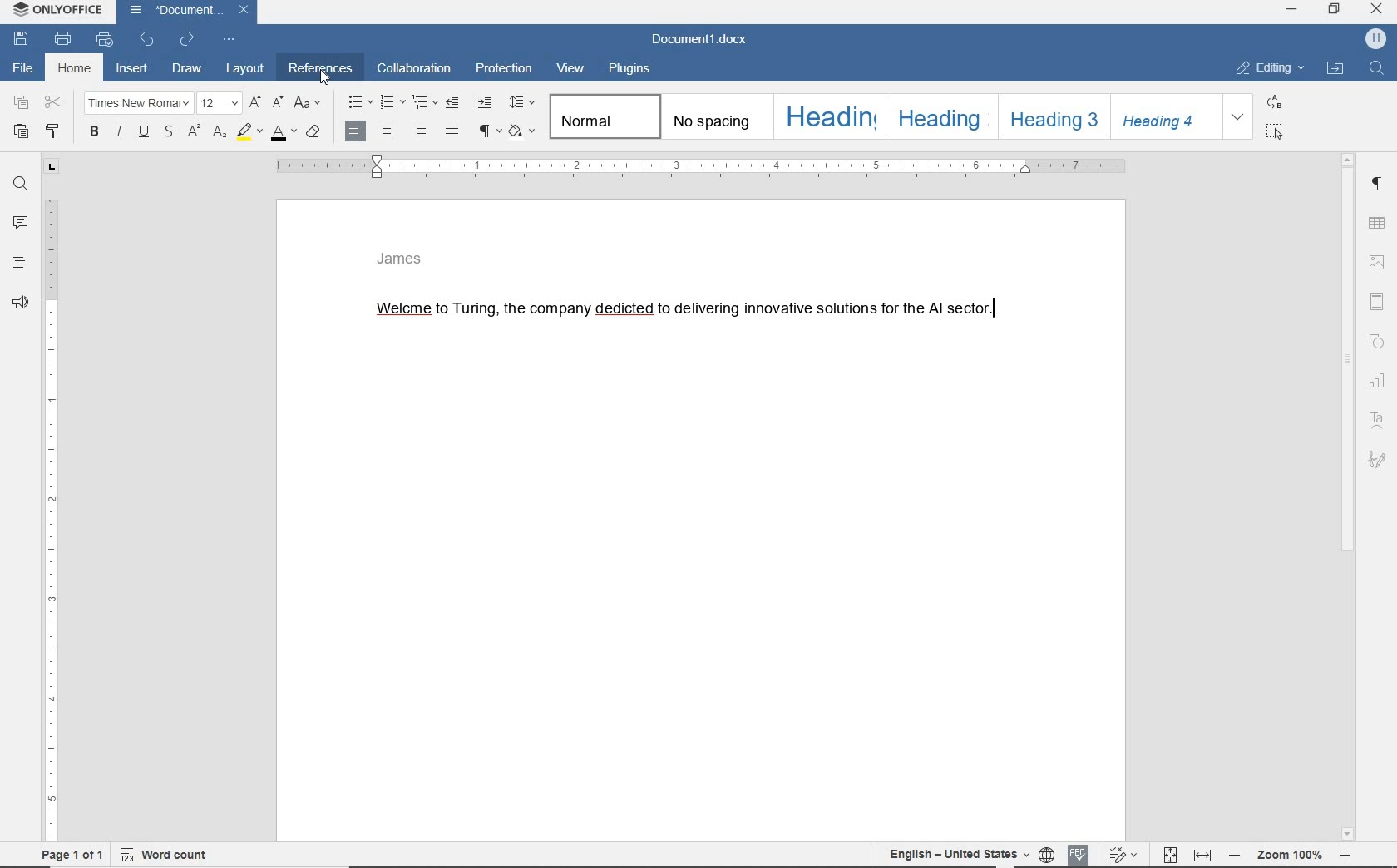 This screenshot has width=1397, height=868. Describe the element at coordinates (307, 102) in the screenshot. I see `change case` at that location.